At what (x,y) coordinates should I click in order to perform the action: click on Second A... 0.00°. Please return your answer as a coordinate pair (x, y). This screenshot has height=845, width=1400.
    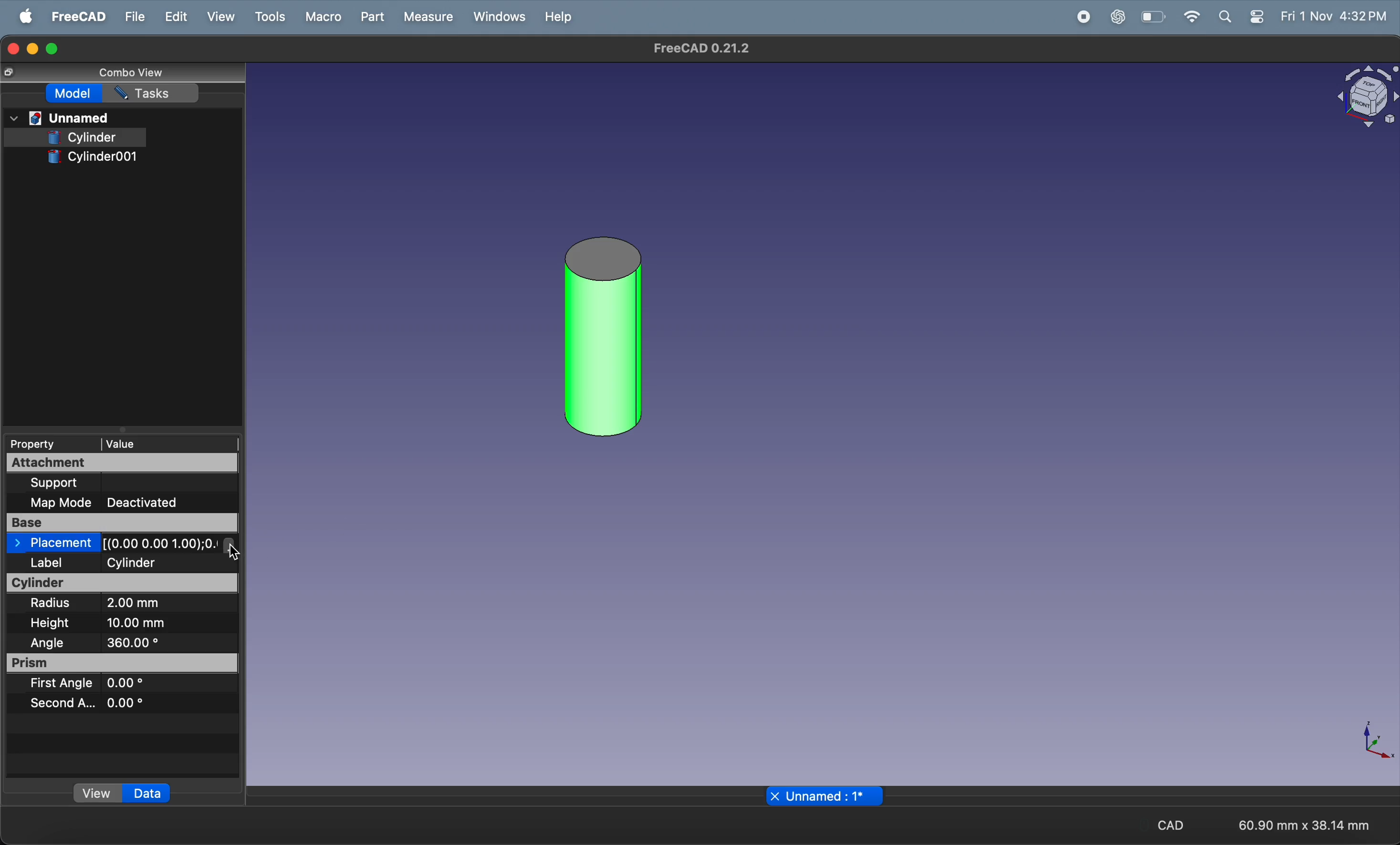
    Looking at the image, I should click on (86, 702).